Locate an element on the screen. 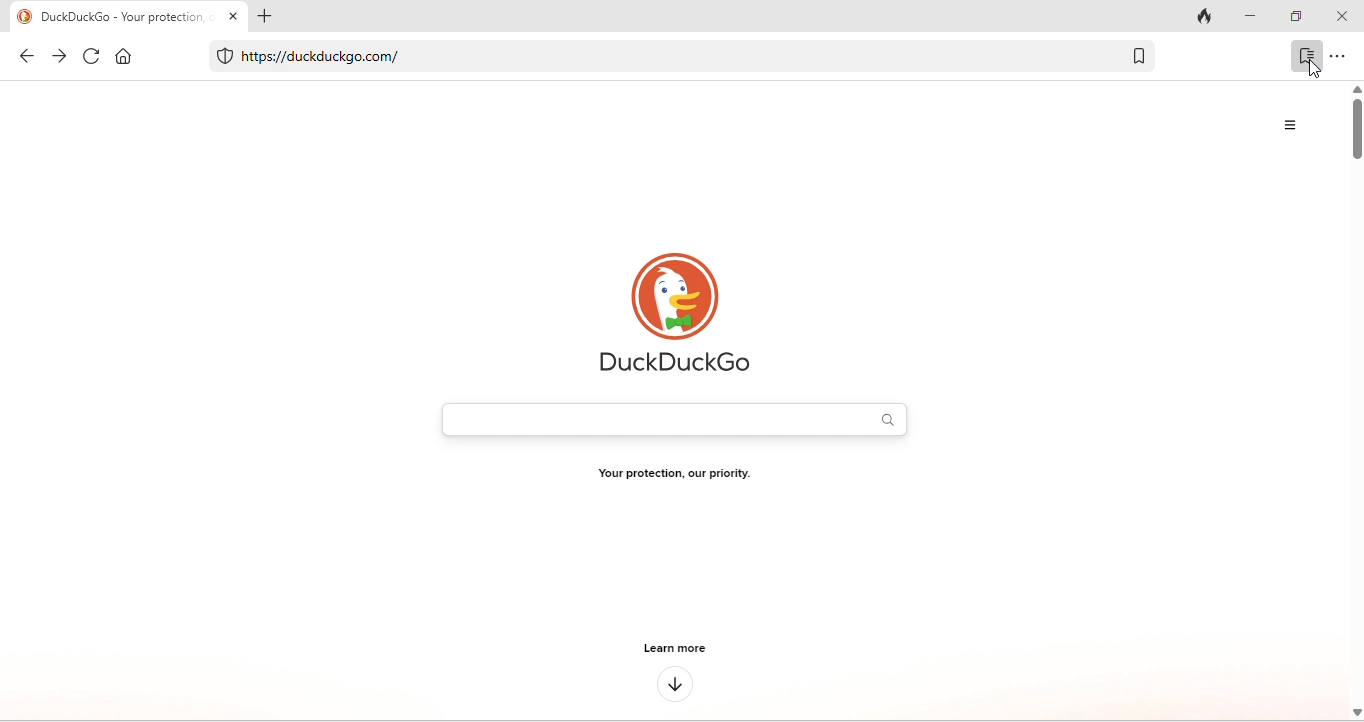 The image size is (1364, 722). DuckDuckGo- Your protection is located at coordinates (130, 17).